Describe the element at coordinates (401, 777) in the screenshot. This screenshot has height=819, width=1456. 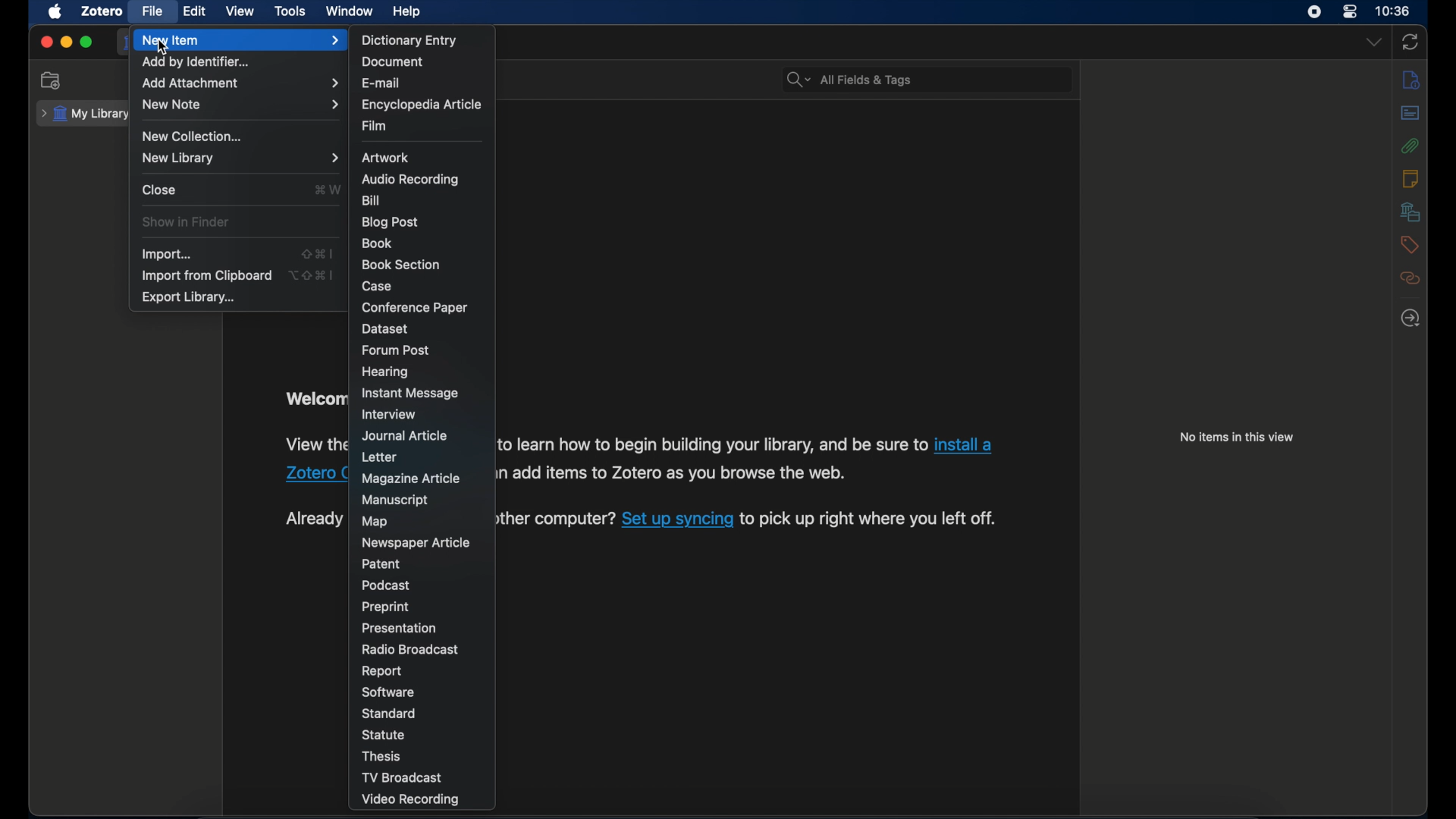
I see `tv broadcast` at that location.